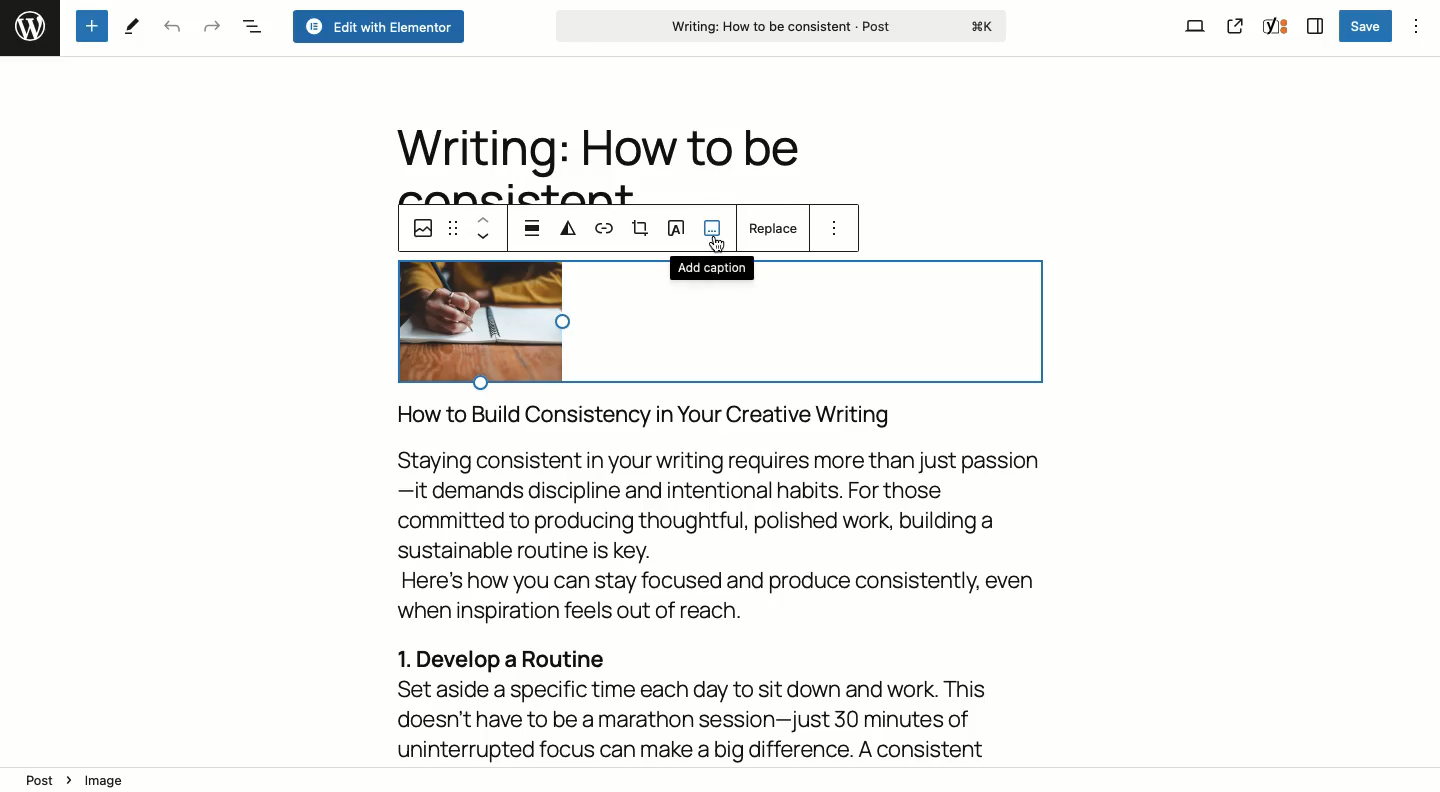 This screenshot has height=792, width=1440. What do you see at coordinates (774, 228) in the screenshot?
I see `Replace` at bounding box center [774, 228].